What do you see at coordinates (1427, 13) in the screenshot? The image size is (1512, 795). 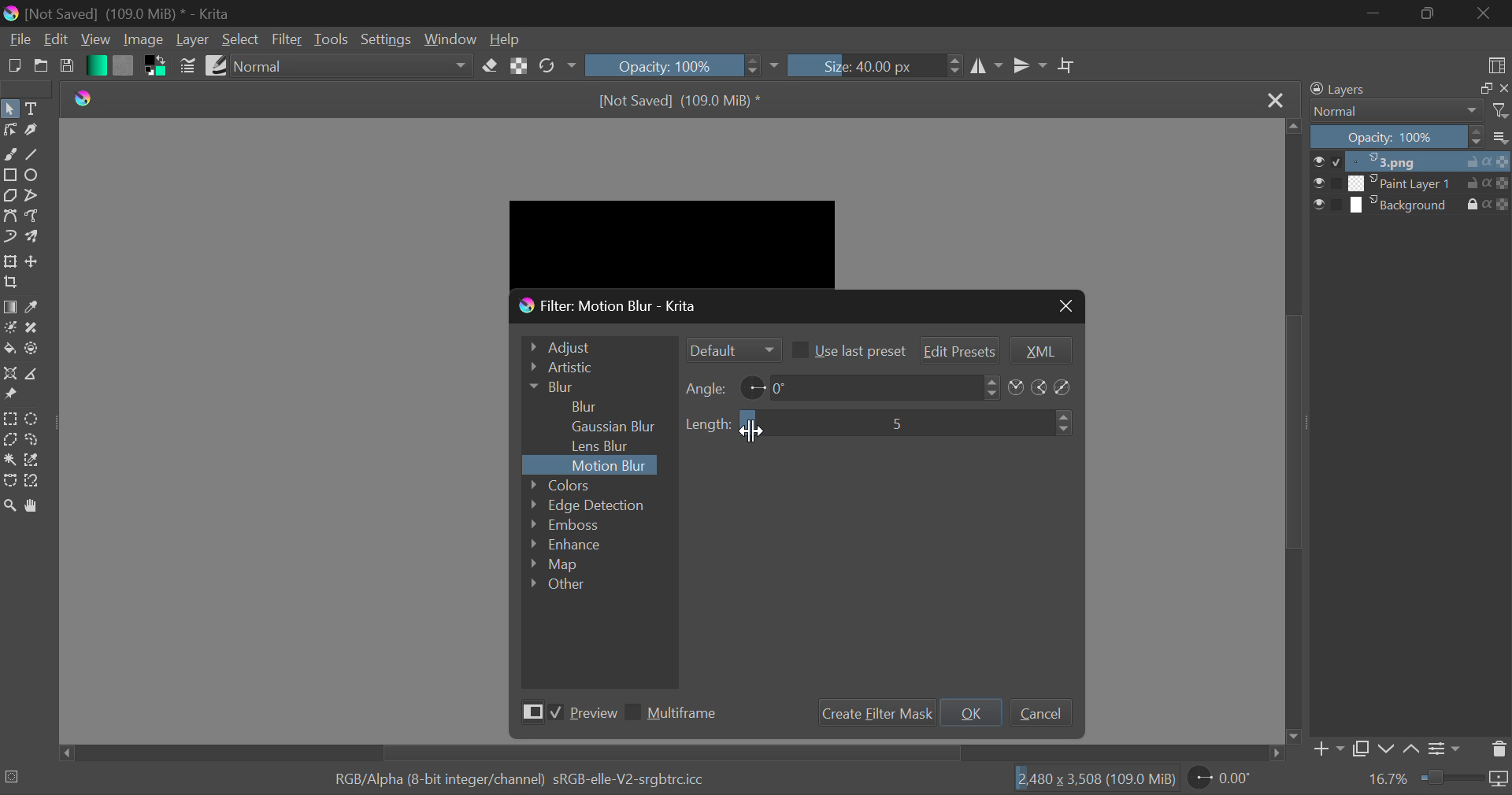 I see `Minimize` at bounding box center [1427, 13].